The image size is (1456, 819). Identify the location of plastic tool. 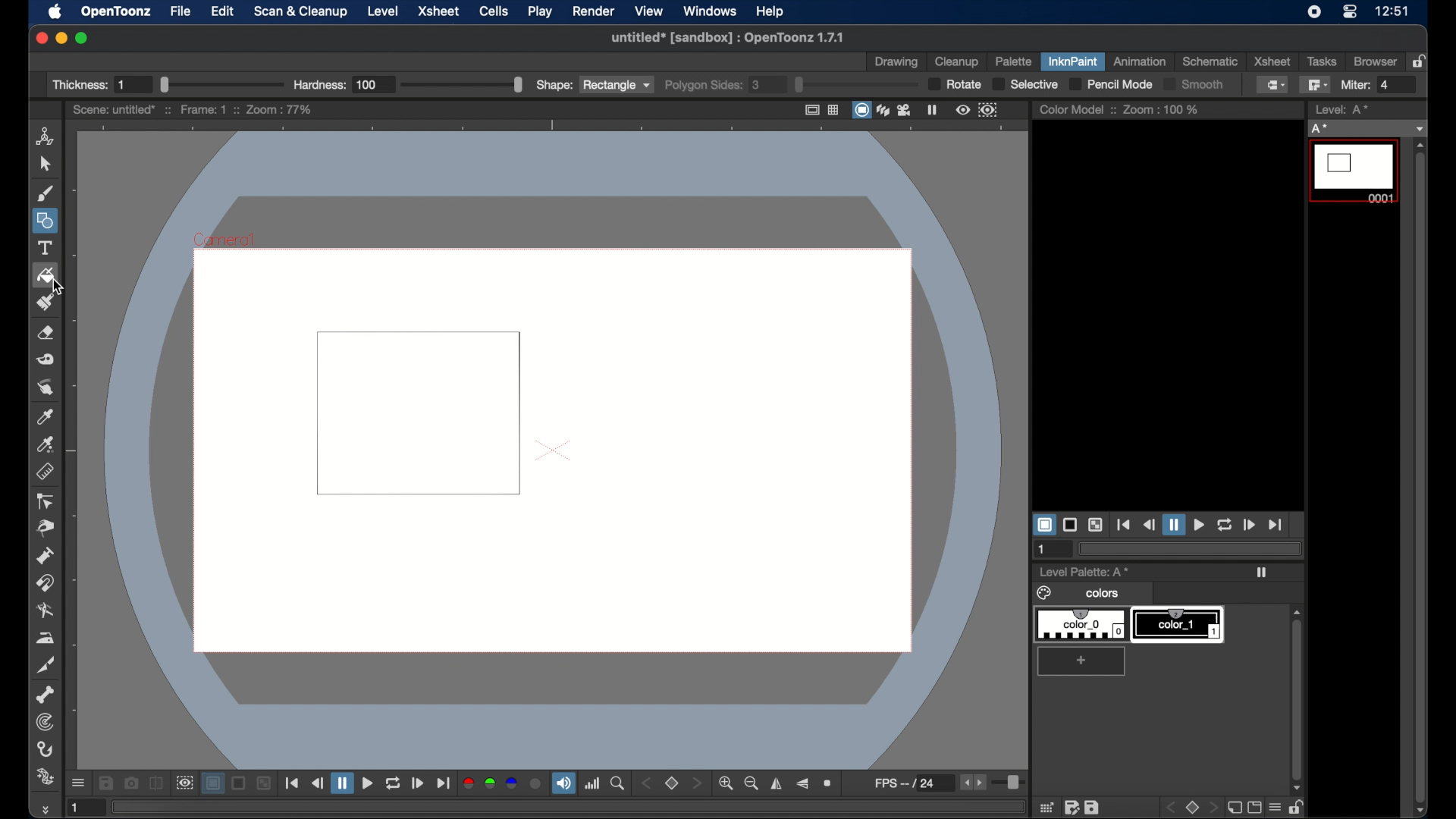
(45, 777).